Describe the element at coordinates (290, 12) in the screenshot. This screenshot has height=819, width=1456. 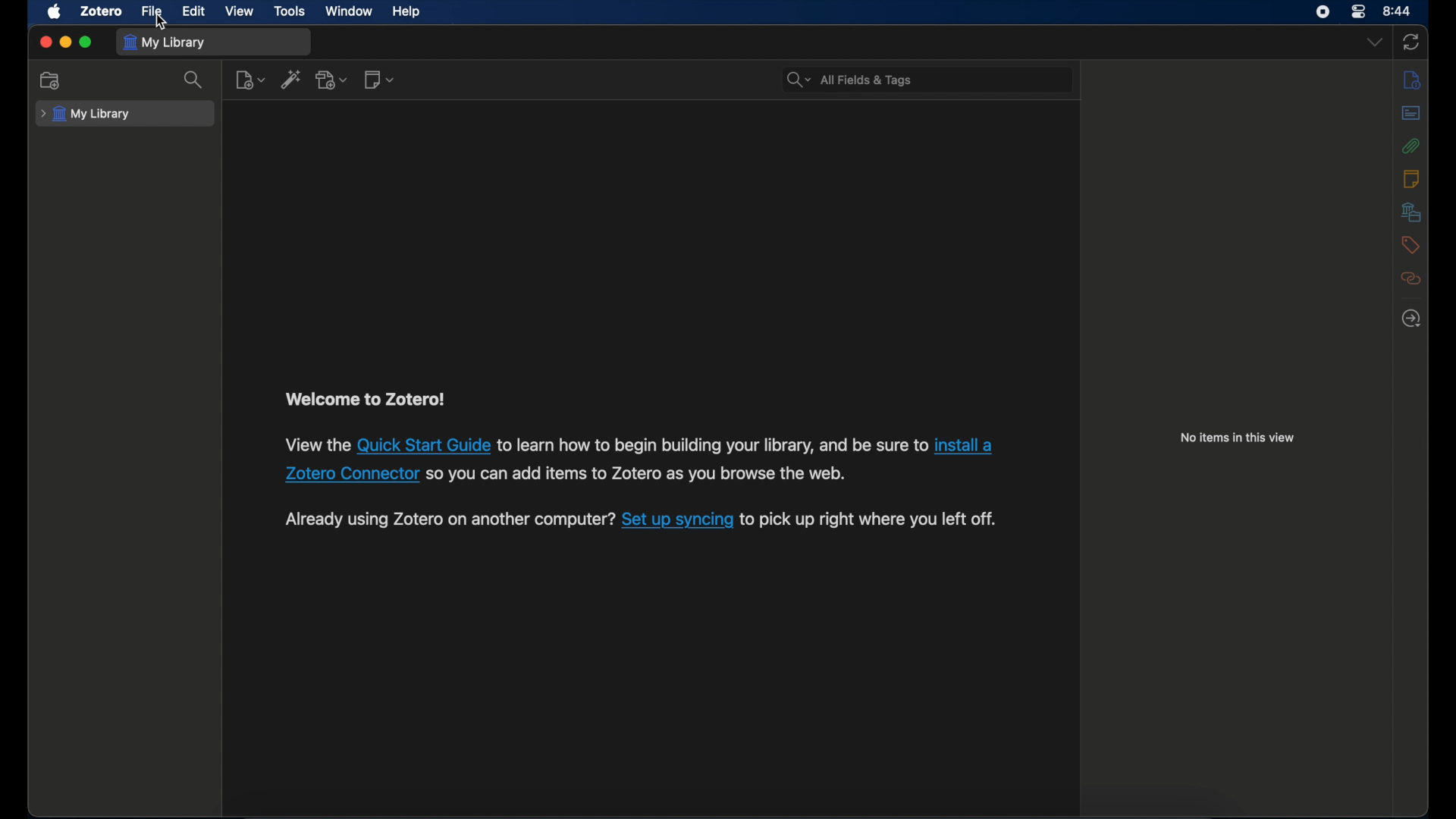
I see `tools` at that location.